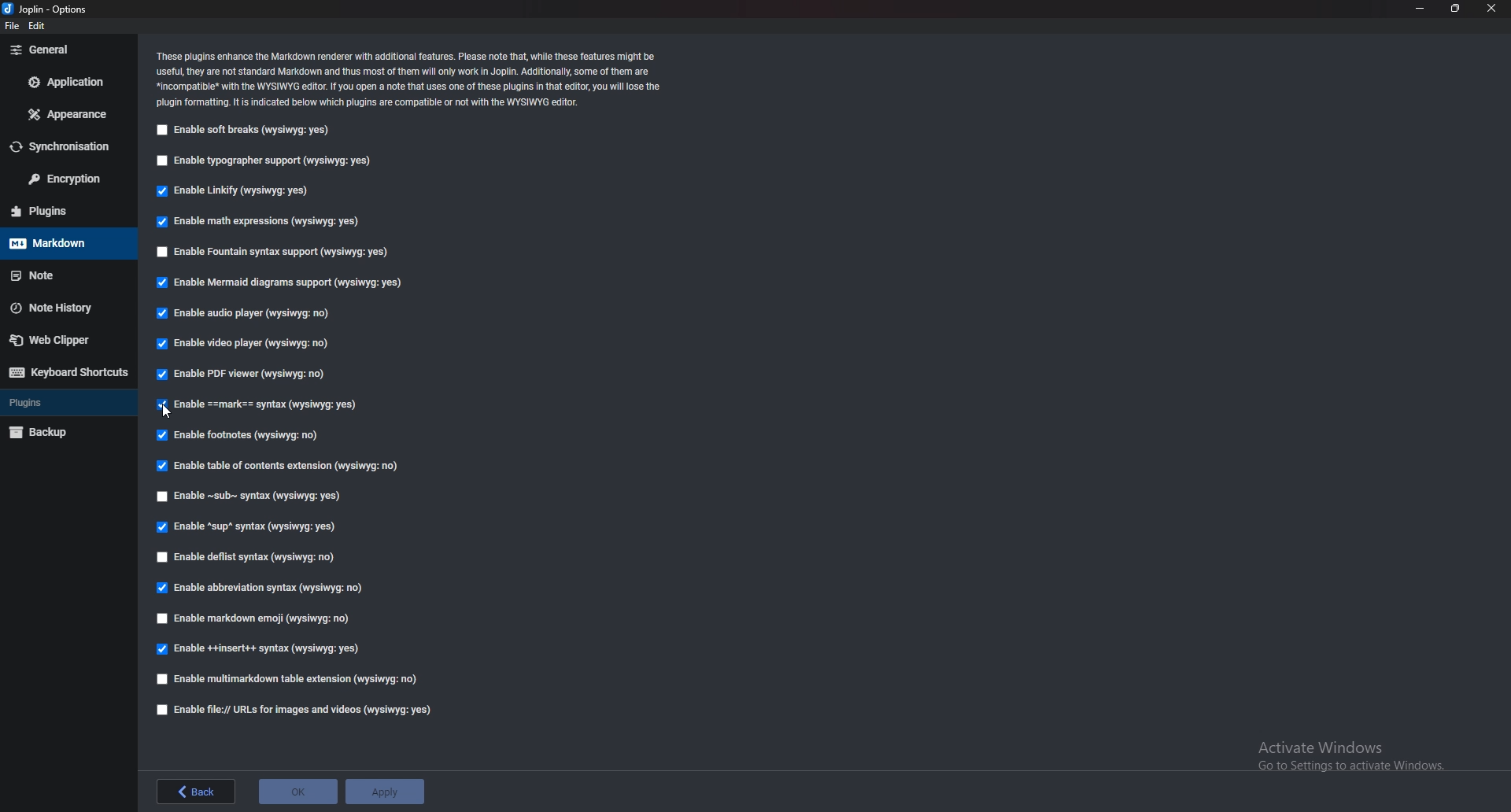  What do you see at coordinates (245, 344) in the screenshot?
I see `enable video player` at bounding box center [245, 344].